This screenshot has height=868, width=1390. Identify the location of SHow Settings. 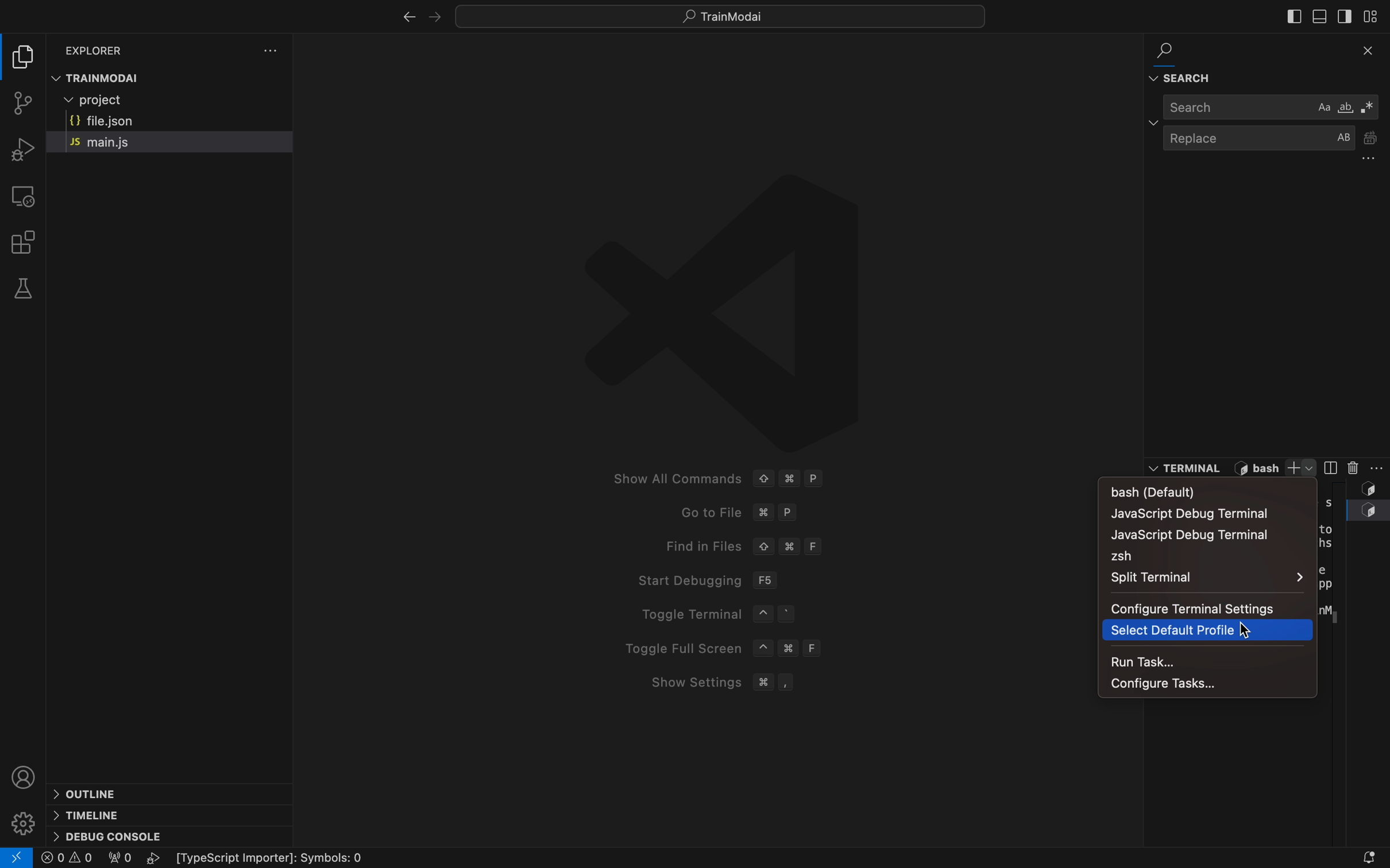
(783, 682).